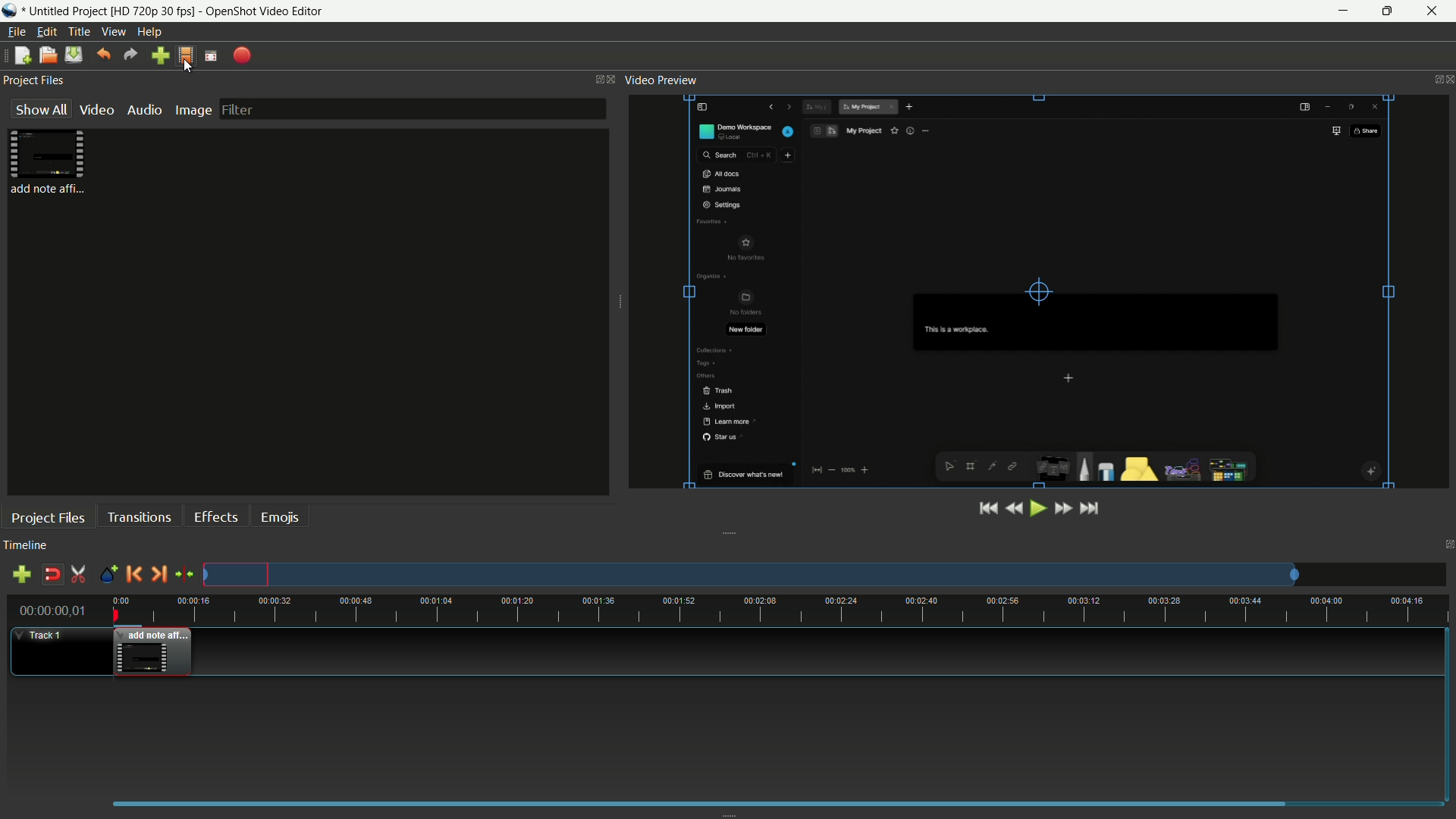  What do you see at coordinates (985, 509) in the screenshot?
I see `jump to start` at bounding box center [985, 509].